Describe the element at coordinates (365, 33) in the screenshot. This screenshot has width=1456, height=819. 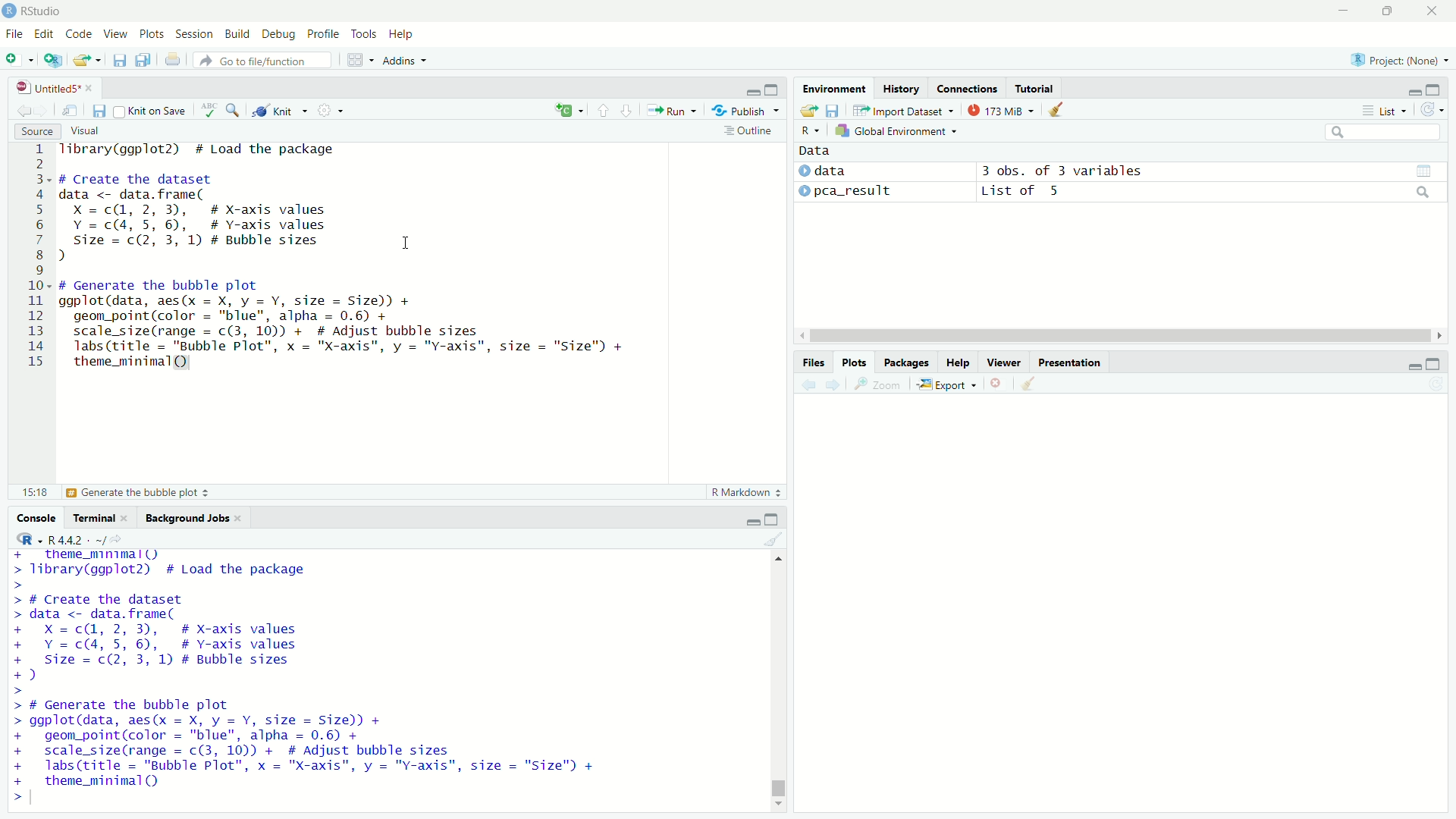
I see `tools` at that location.